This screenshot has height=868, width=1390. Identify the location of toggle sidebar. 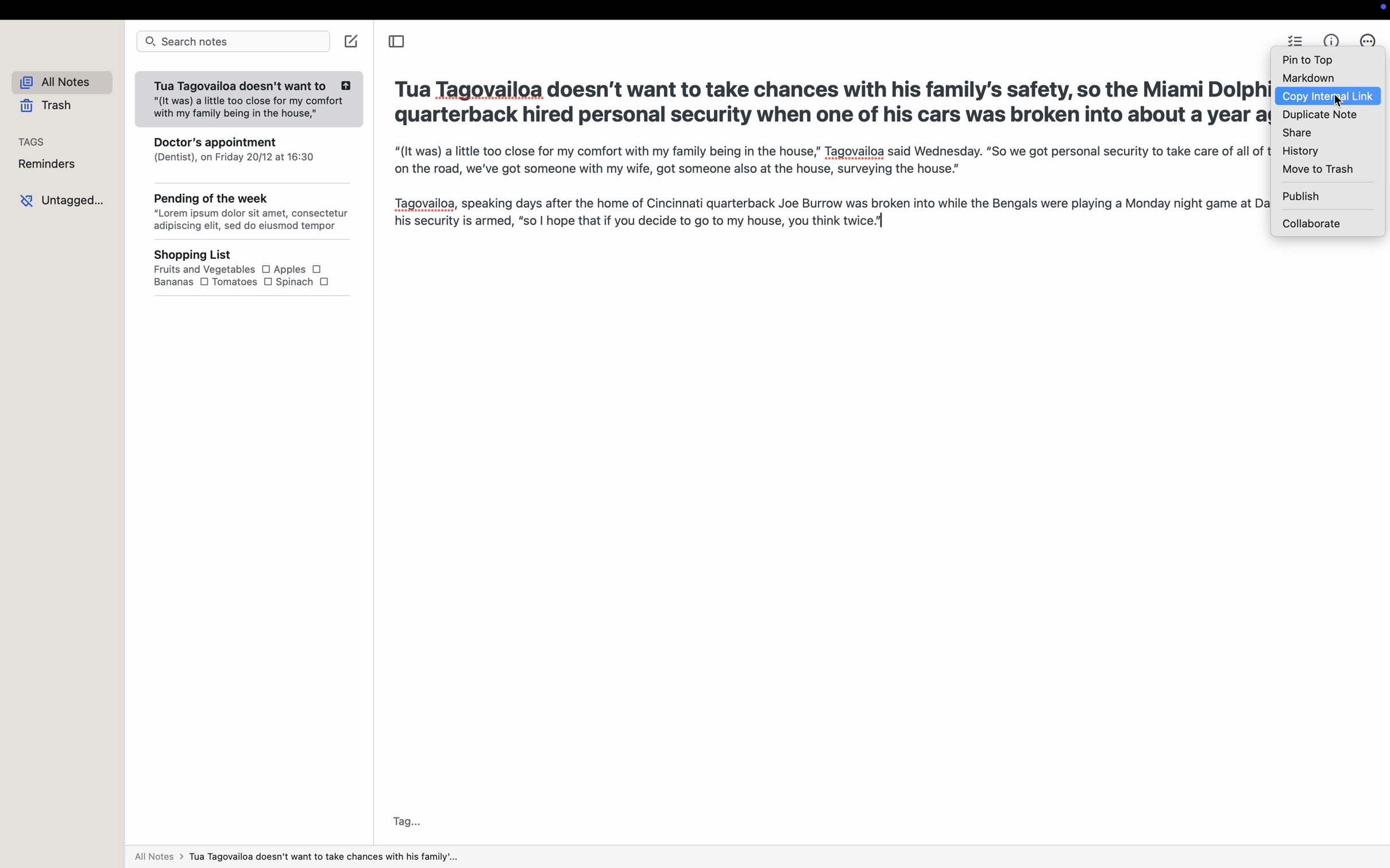
(400, 42).